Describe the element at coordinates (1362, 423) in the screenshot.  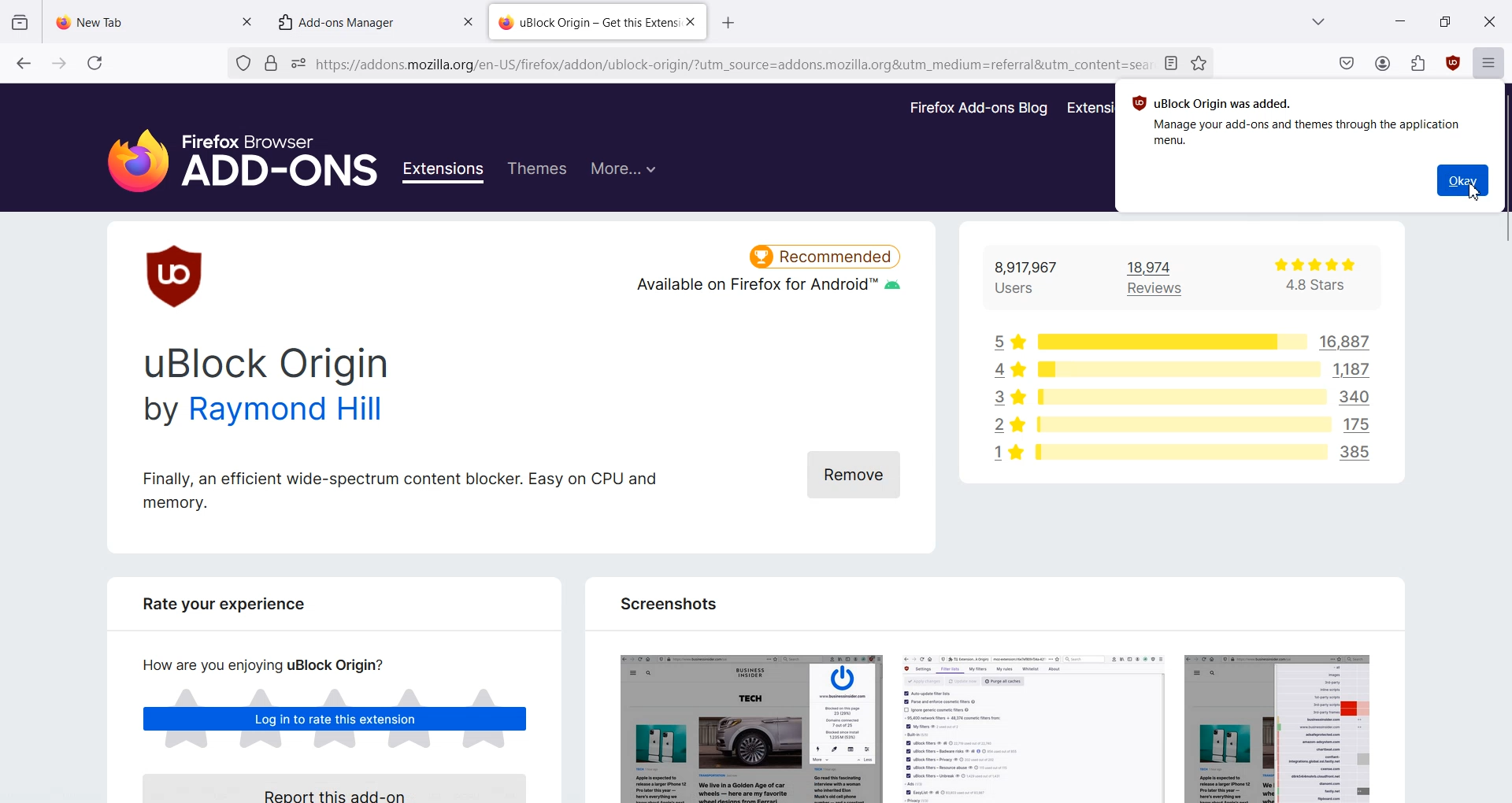
I see `175 users` at that location.